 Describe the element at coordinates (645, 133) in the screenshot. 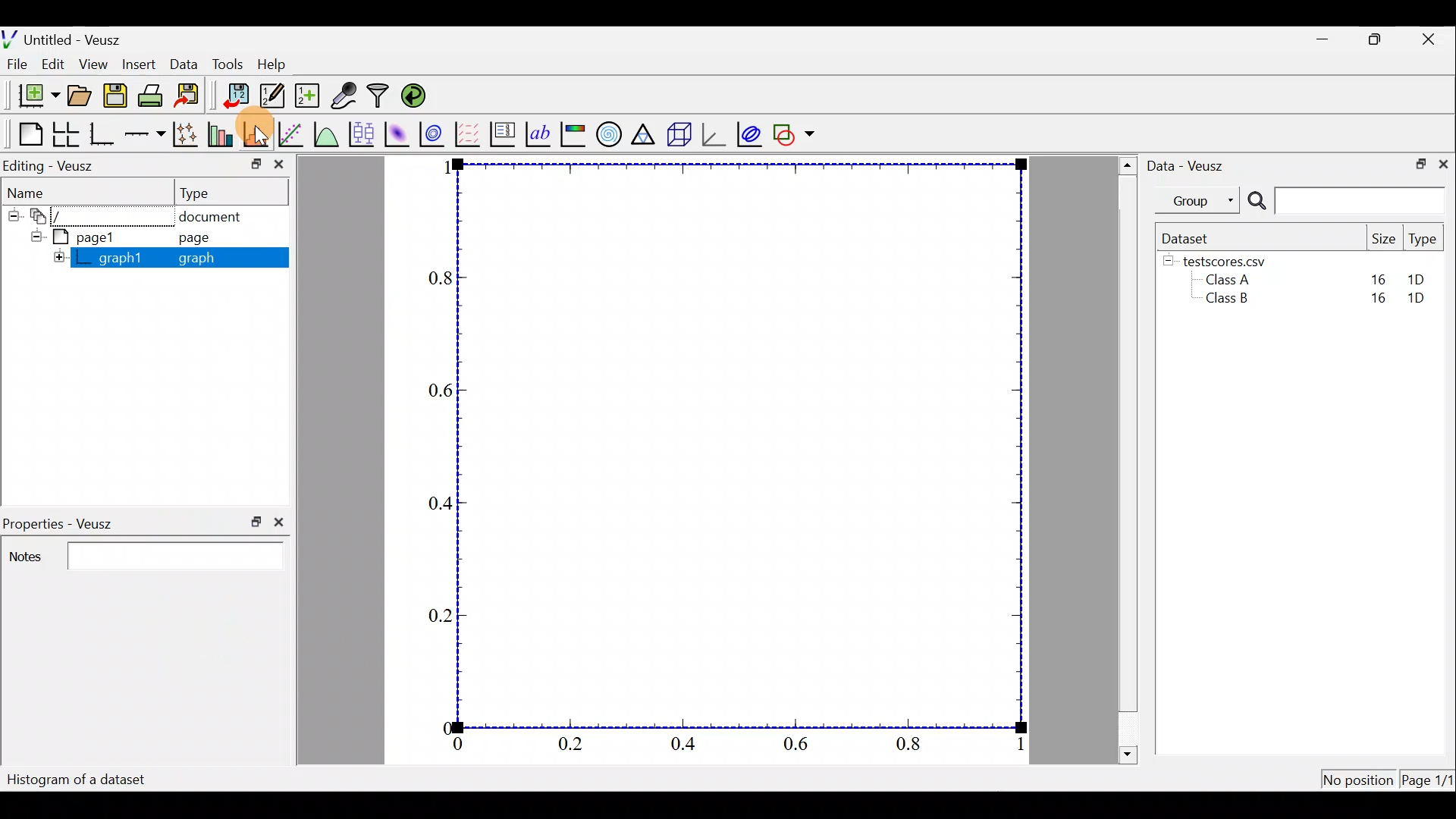

I see `Ternary graph` at that location.